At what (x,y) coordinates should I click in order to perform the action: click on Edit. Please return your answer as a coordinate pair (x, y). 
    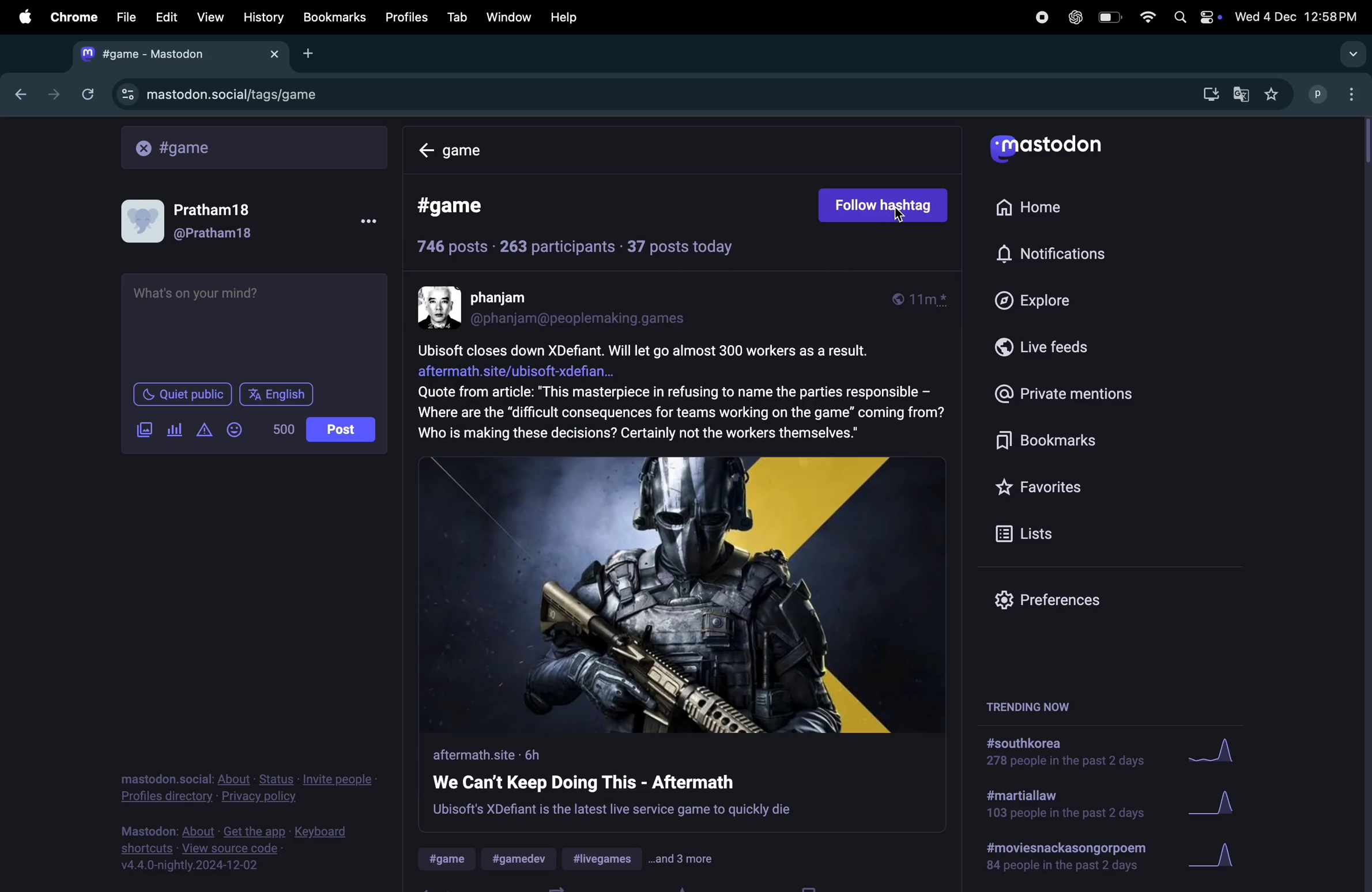
    Looking at the image, I should click on (168, 14).